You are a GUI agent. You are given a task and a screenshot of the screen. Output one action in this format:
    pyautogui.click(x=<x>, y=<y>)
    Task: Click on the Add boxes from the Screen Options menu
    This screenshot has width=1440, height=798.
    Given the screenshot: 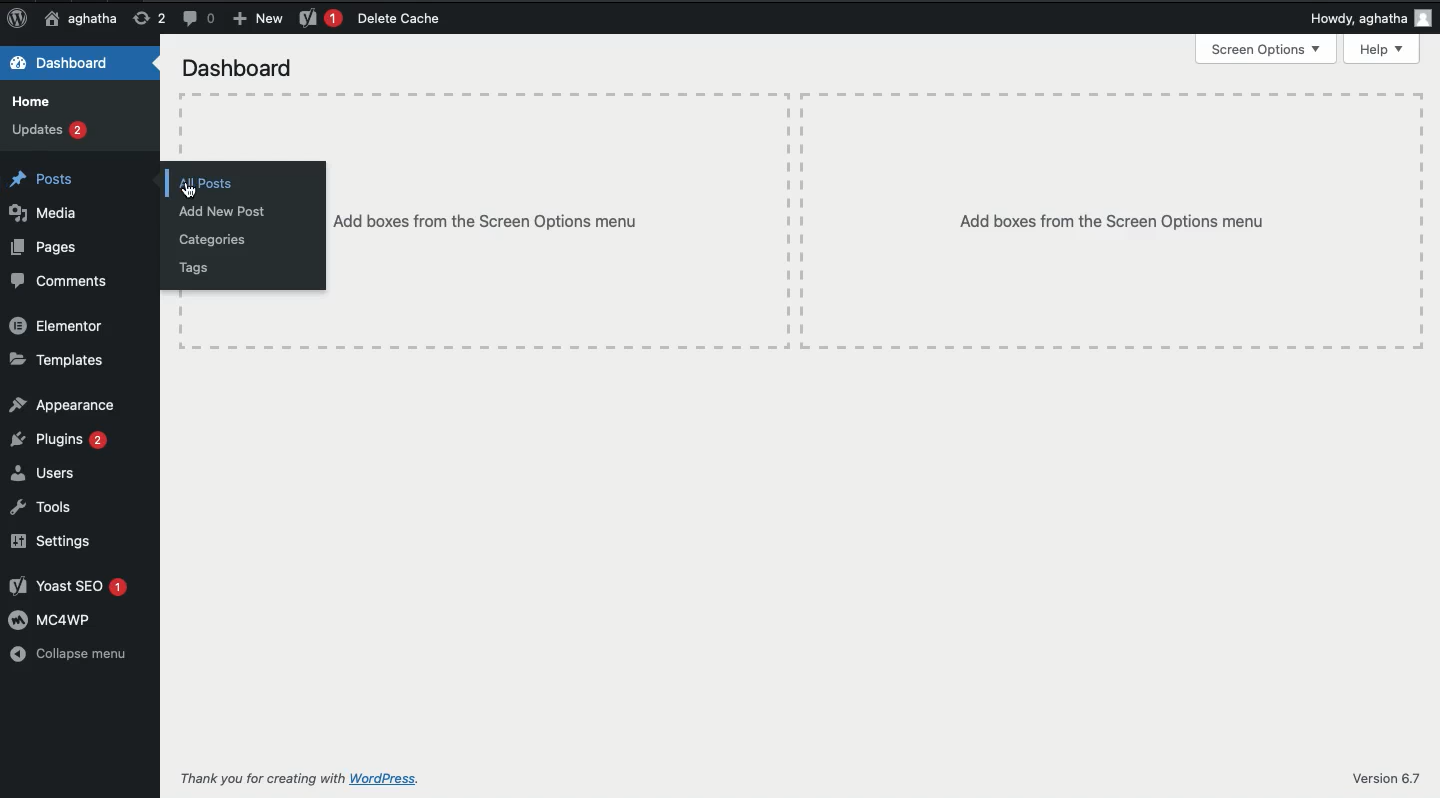 What is the action you would take?
    pyautogui.click(x=1101, y=222)
    